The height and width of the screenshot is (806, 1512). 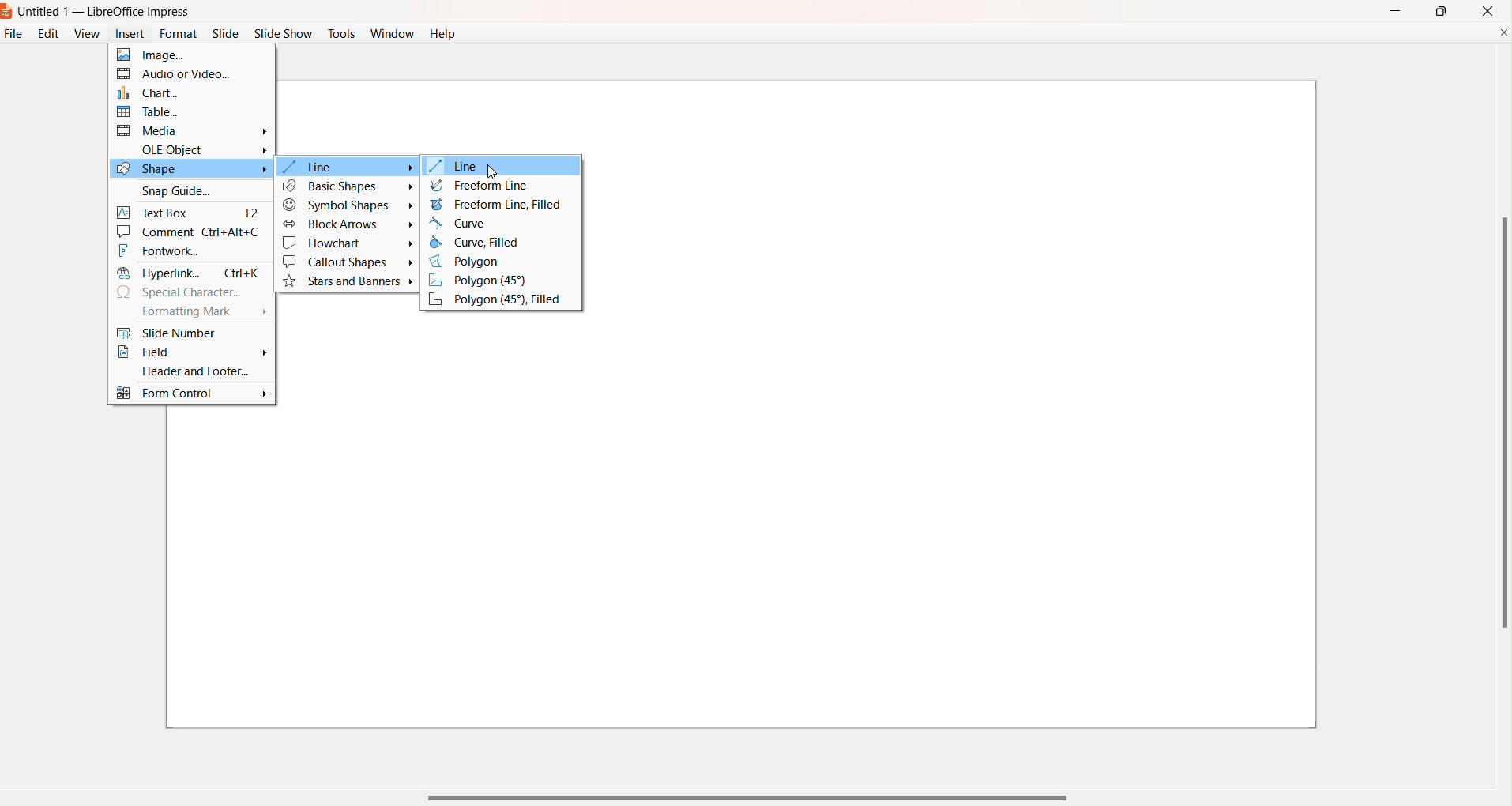 What do you see at coordinates (192, 395) in the screenshot?
I see `Form Control` at bounding box center [192, 395].